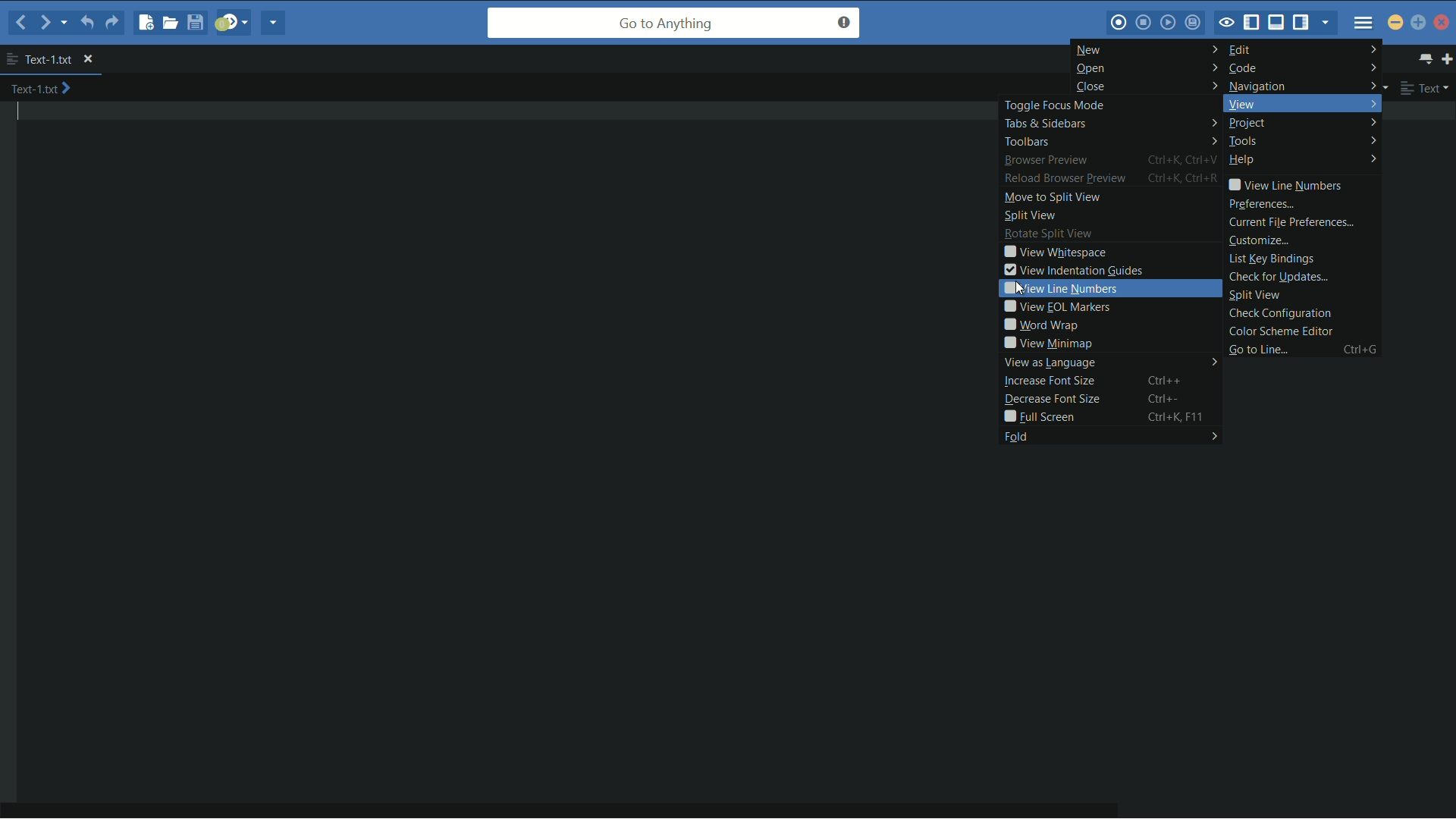 The height and width of the screenshot is (819, 1456). Describe the element at coordinates (65, 25) in the screenshot. I see `recent locations` at that location.